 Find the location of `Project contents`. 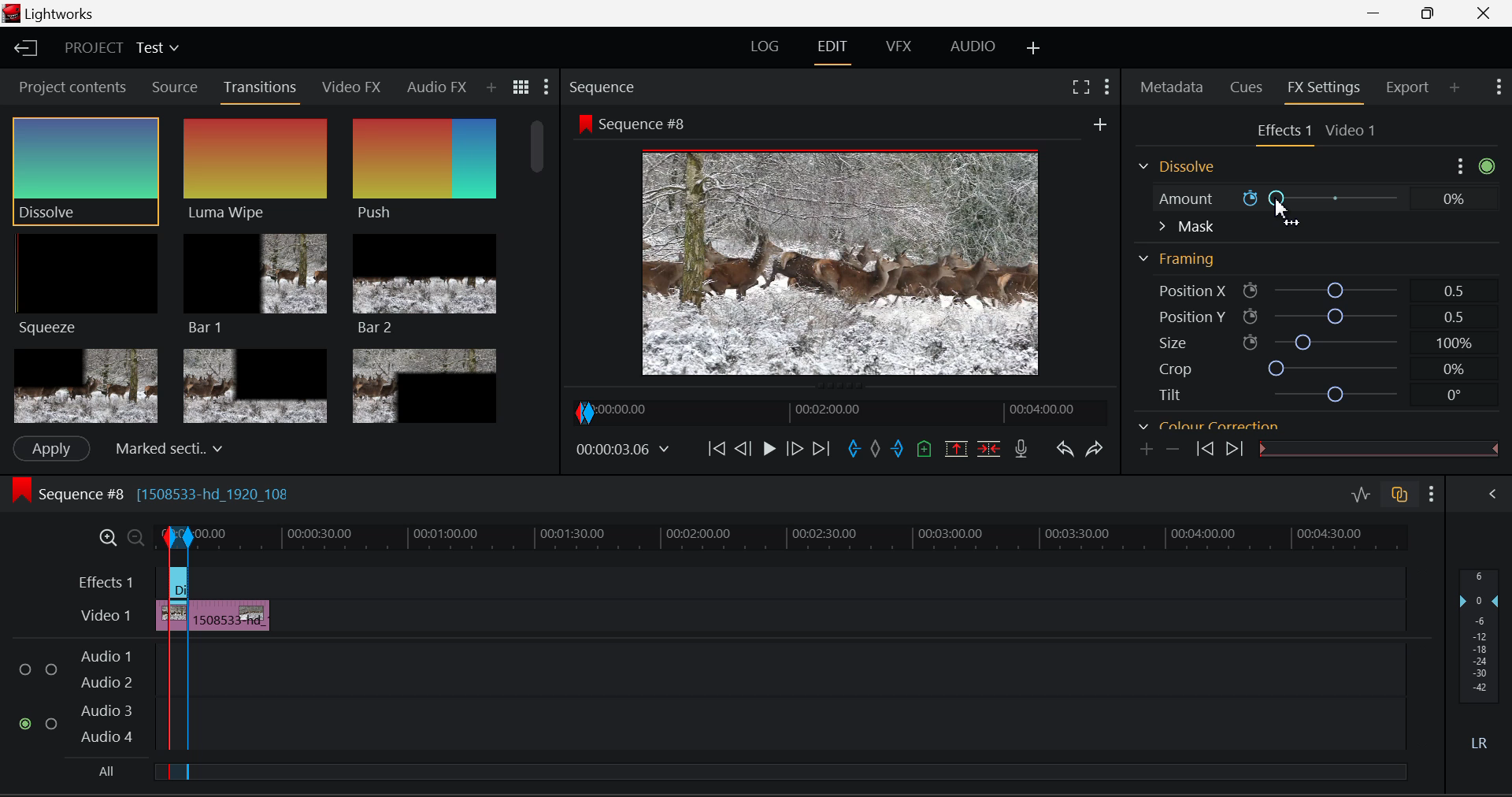

Project contents is located at coordinates (70, 86).